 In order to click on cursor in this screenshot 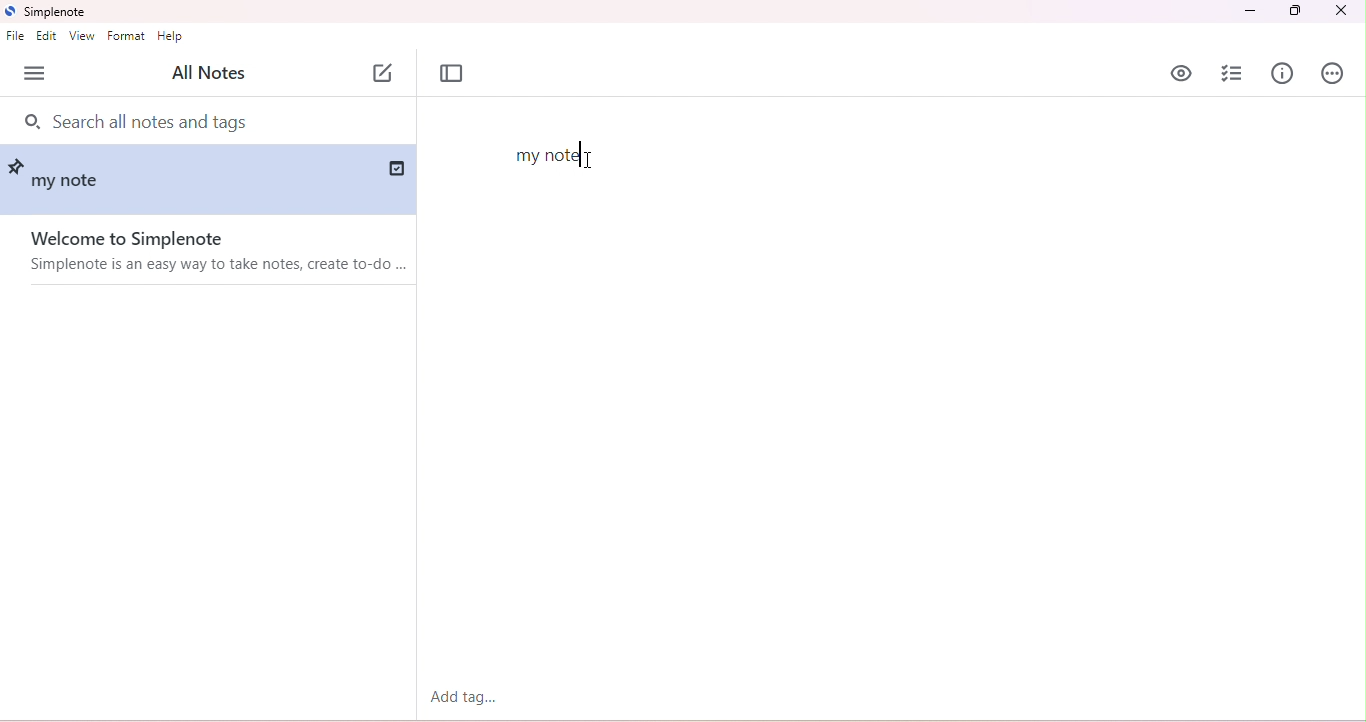, I will do `click(592, 160)`.